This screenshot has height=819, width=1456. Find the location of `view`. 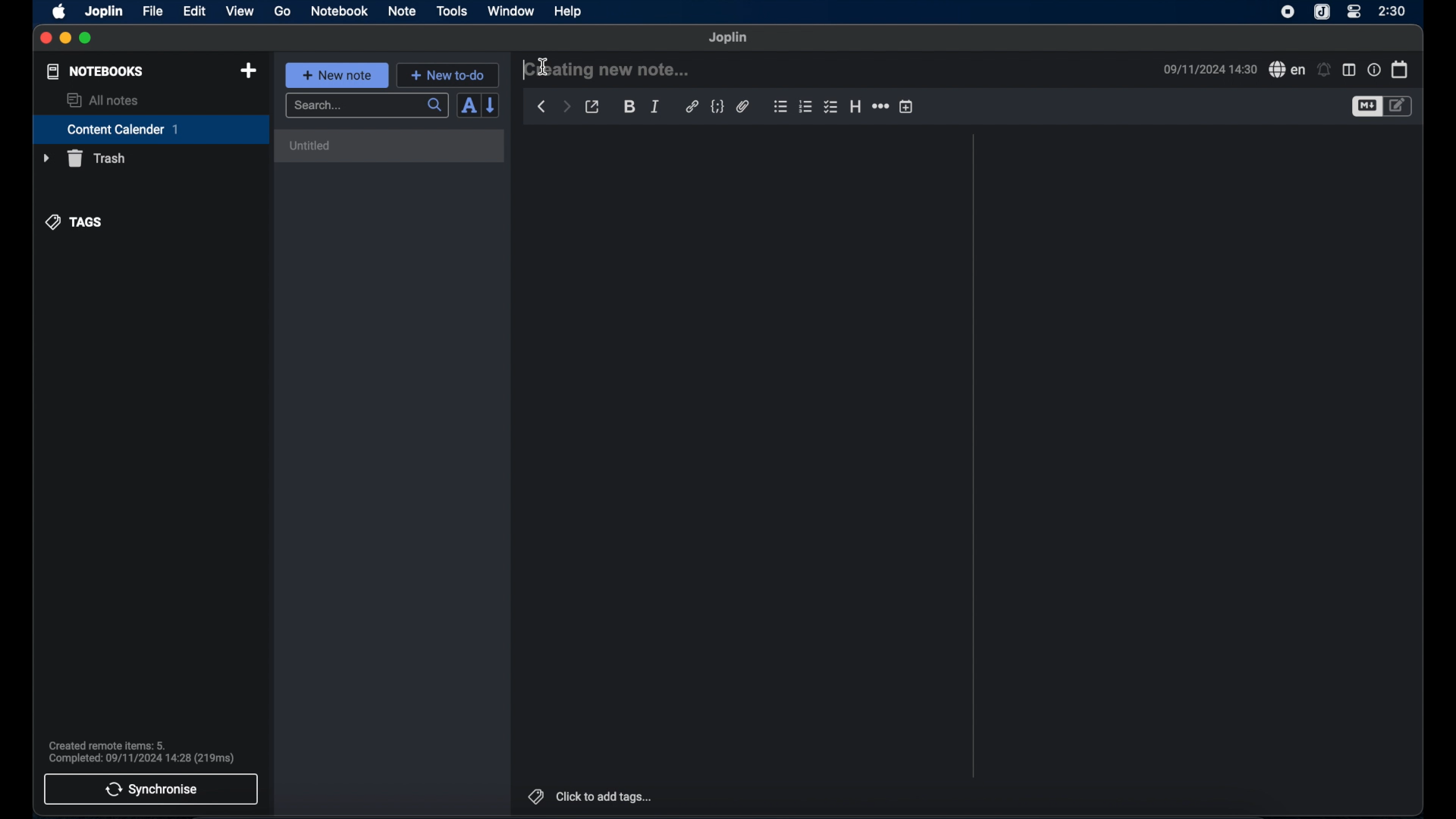

view is located at coordinates (240, 11).